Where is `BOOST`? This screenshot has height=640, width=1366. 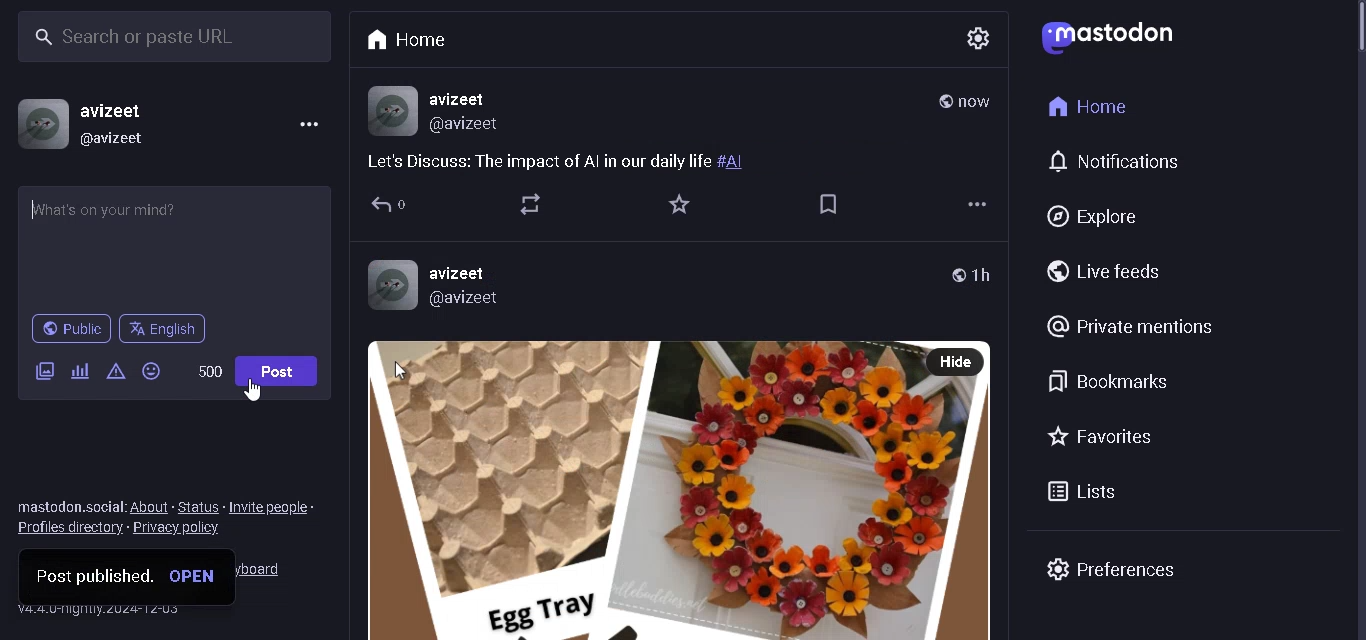
BOOST is located at coordinates (532, 206).